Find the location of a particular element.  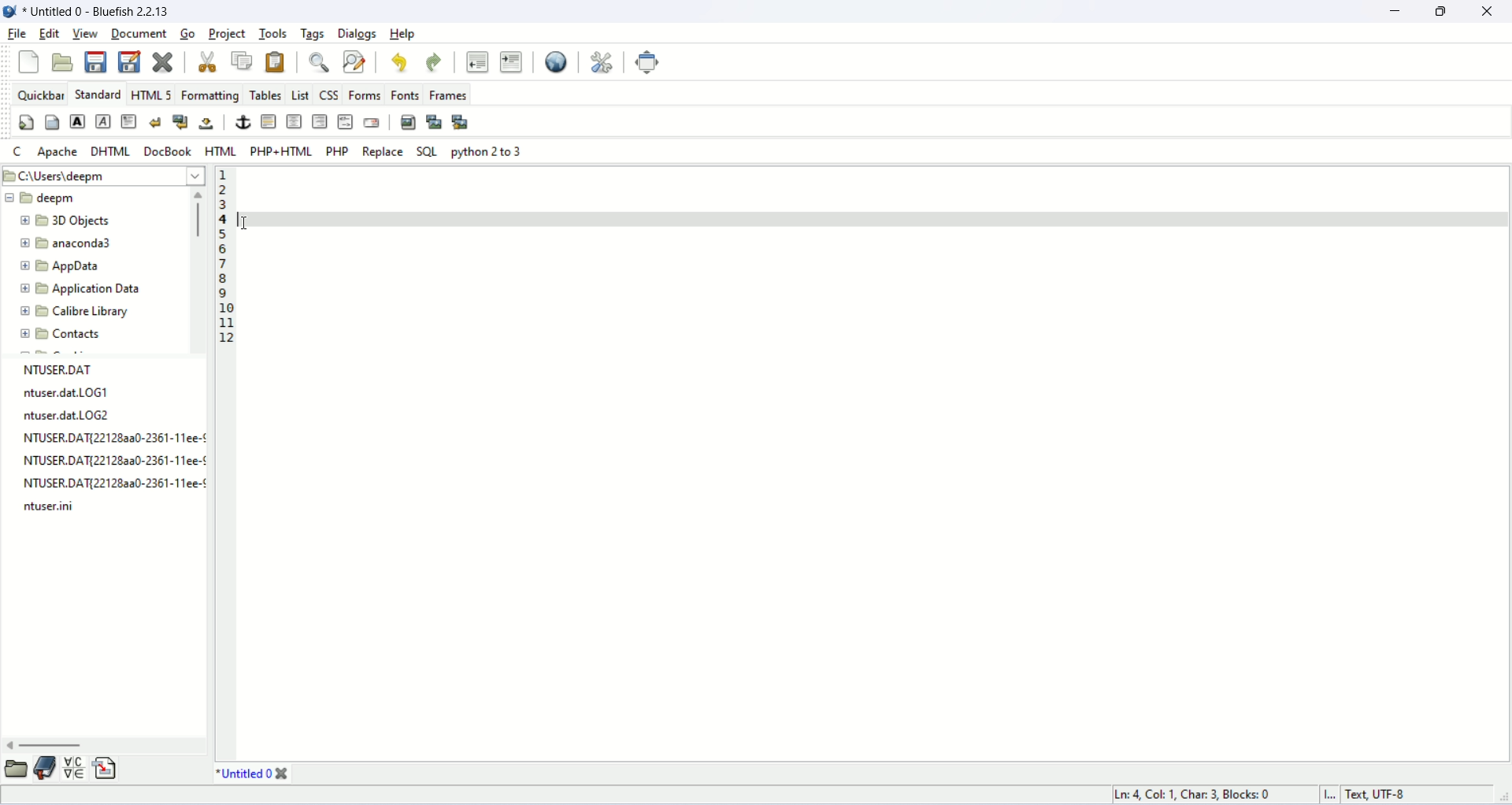

indent is located at coordinates (512, 63).